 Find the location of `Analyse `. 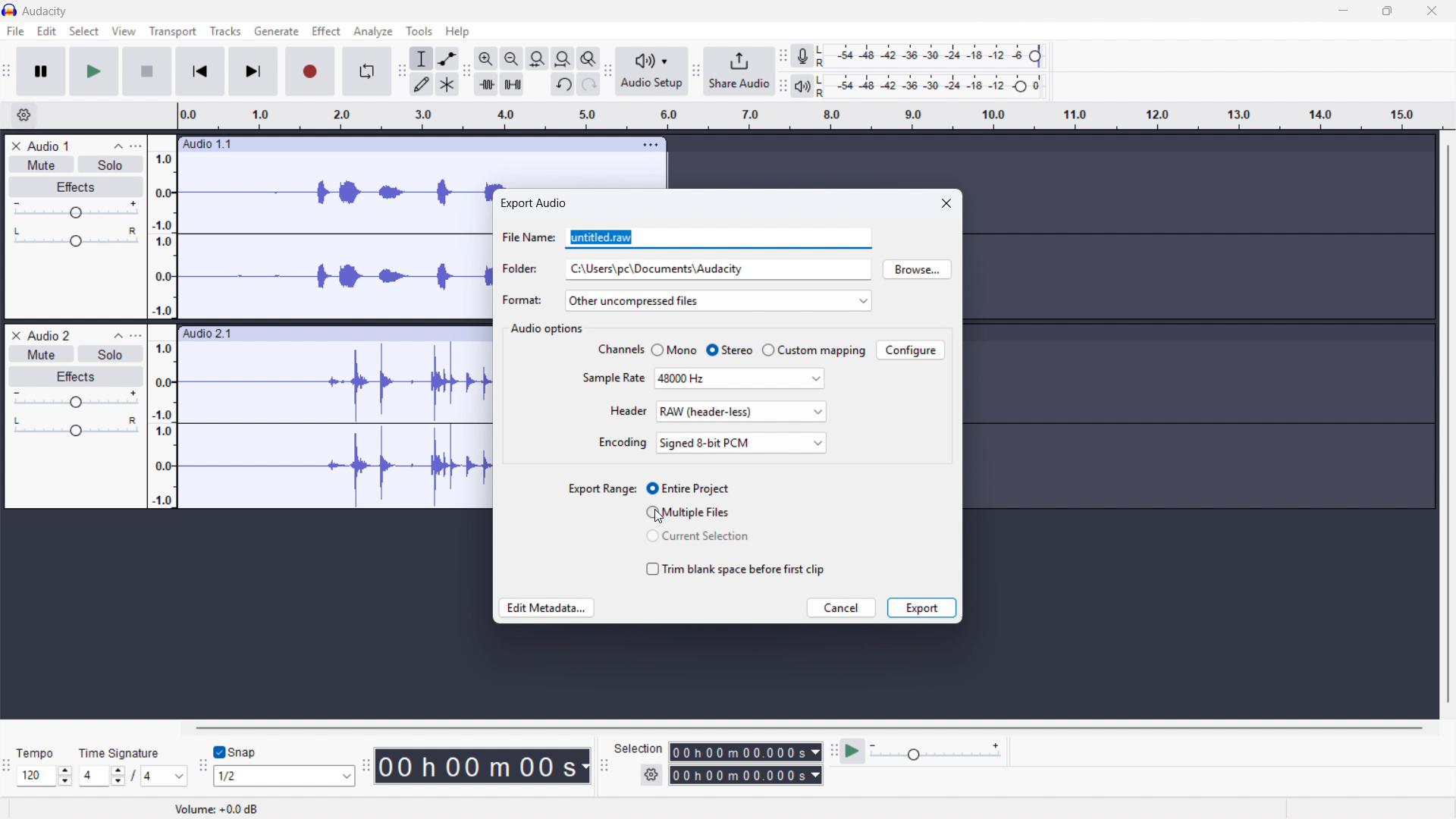

Analyse  is located at coordinates (372, 33).